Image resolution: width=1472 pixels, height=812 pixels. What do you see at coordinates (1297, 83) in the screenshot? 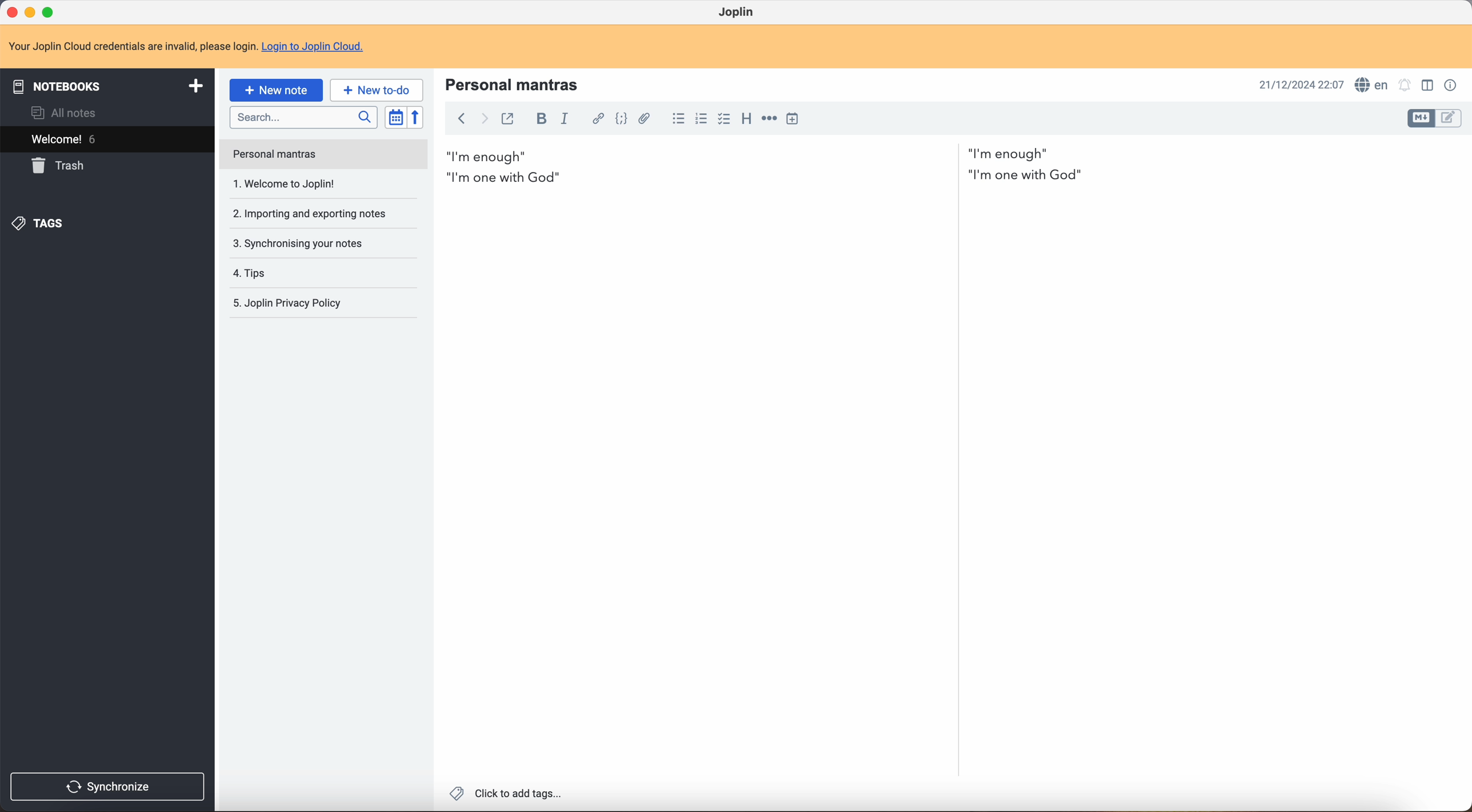
I see `date and hour` at bounding box center [1297, 83].